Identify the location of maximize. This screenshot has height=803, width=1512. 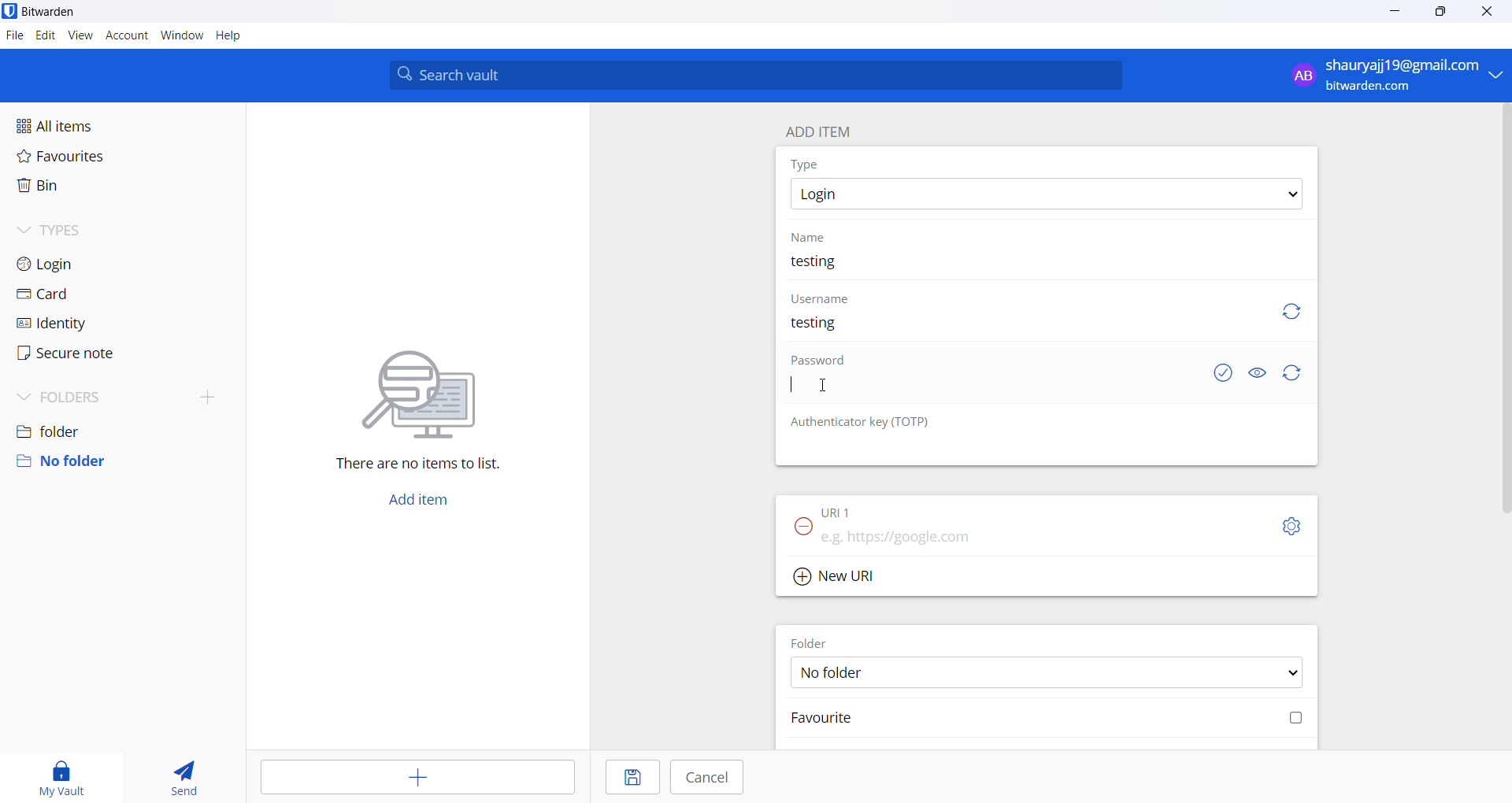
(1443, 13).